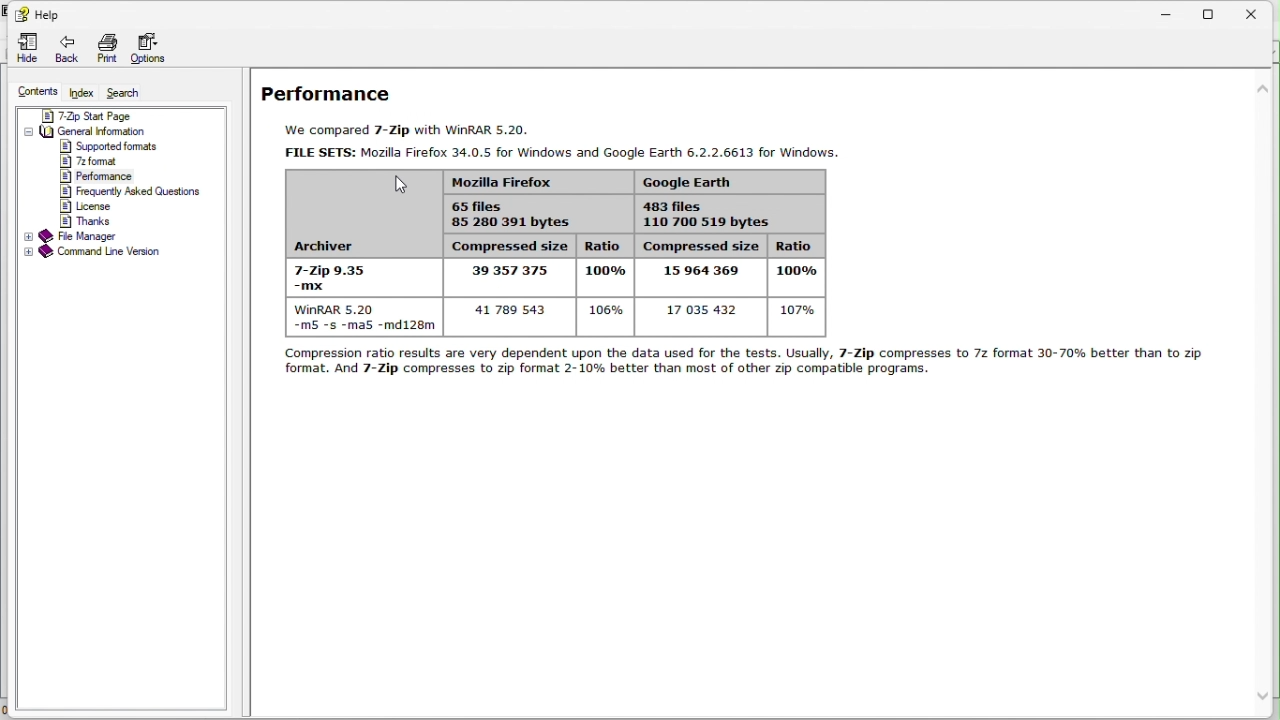 The width and height of the screenshot is (1280, 720). I want to click on cursor, so click(403, 185).